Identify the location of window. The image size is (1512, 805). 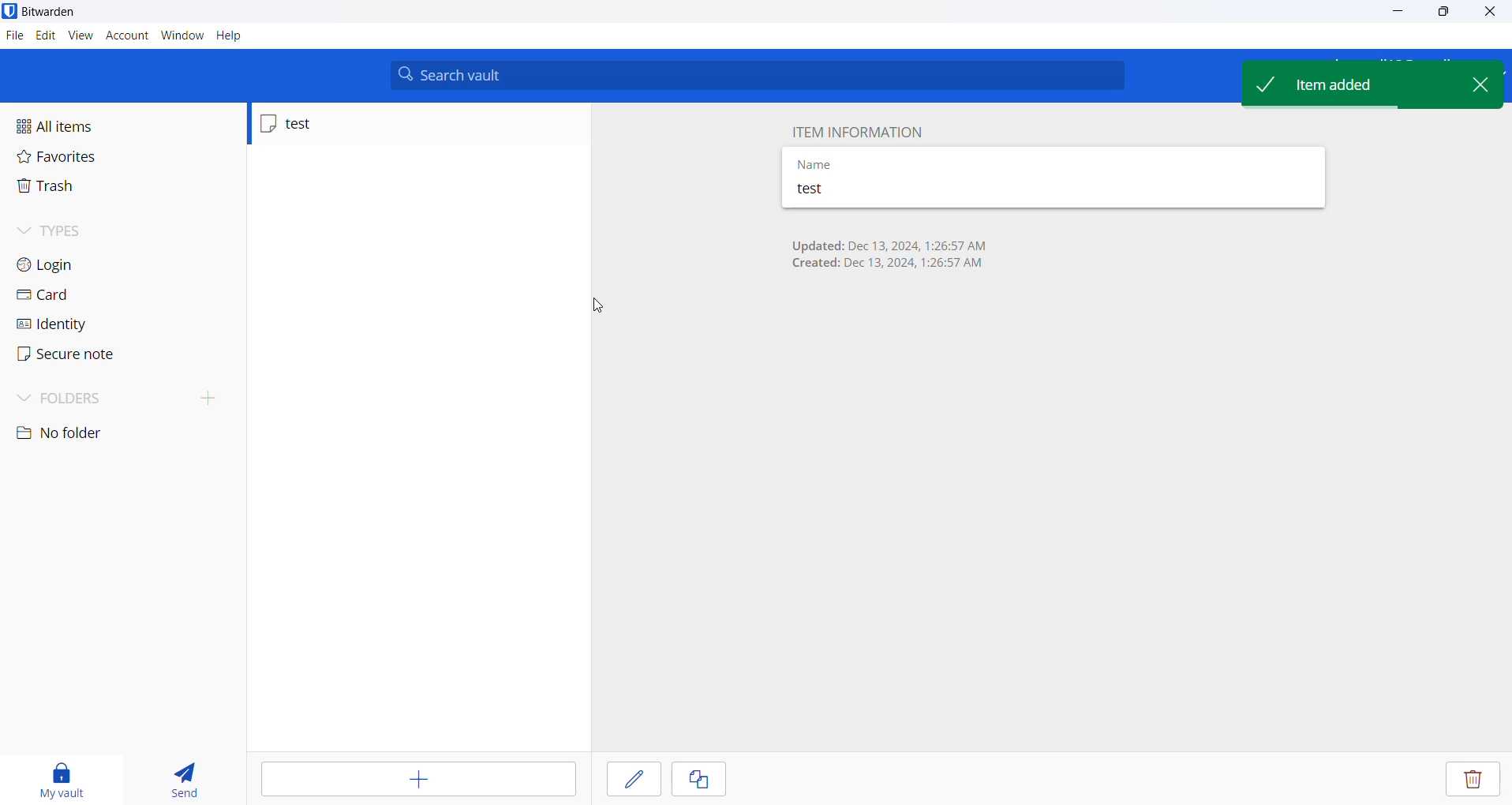
(182, 36).